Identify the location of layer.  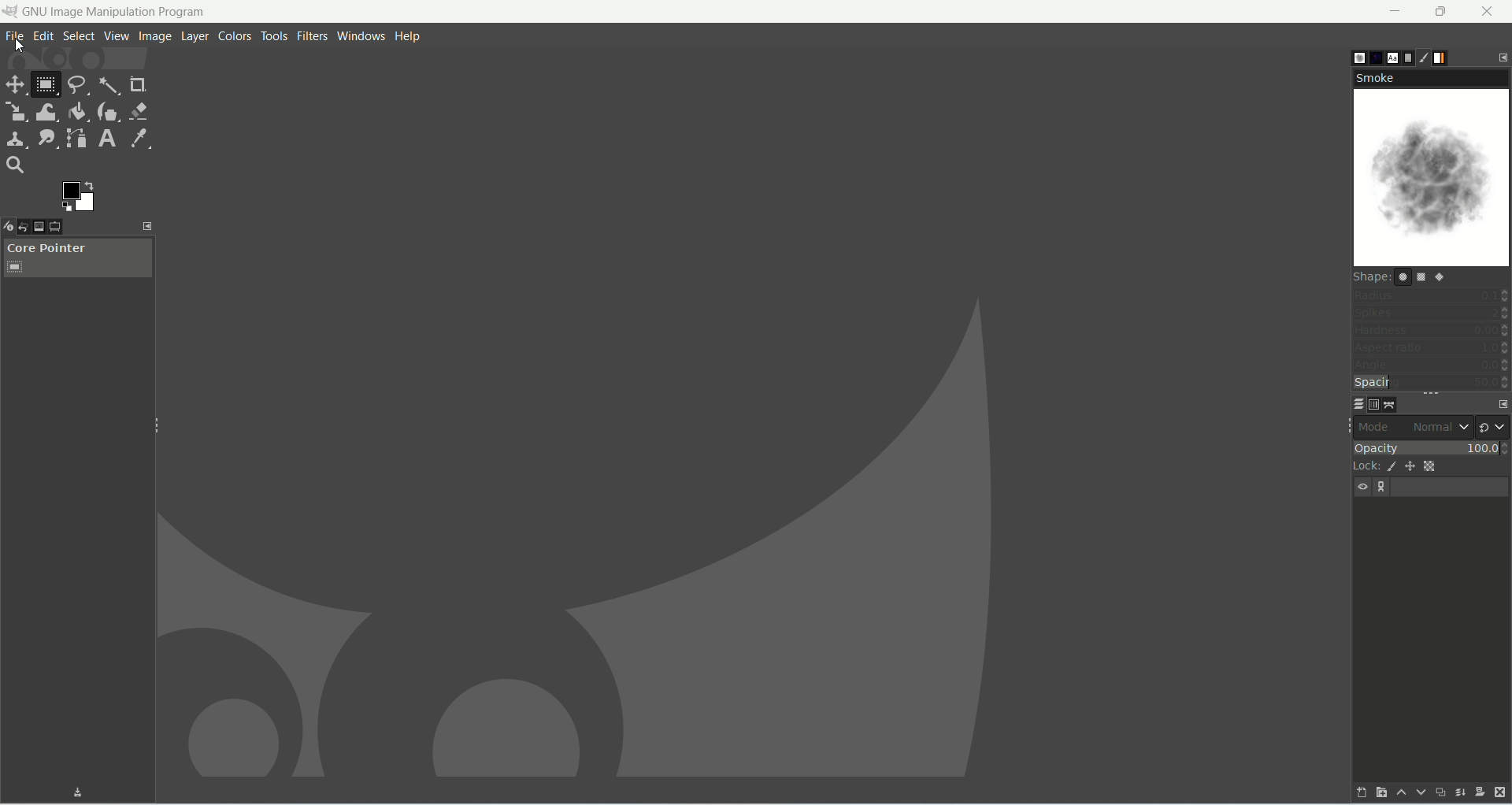
(196, 37).